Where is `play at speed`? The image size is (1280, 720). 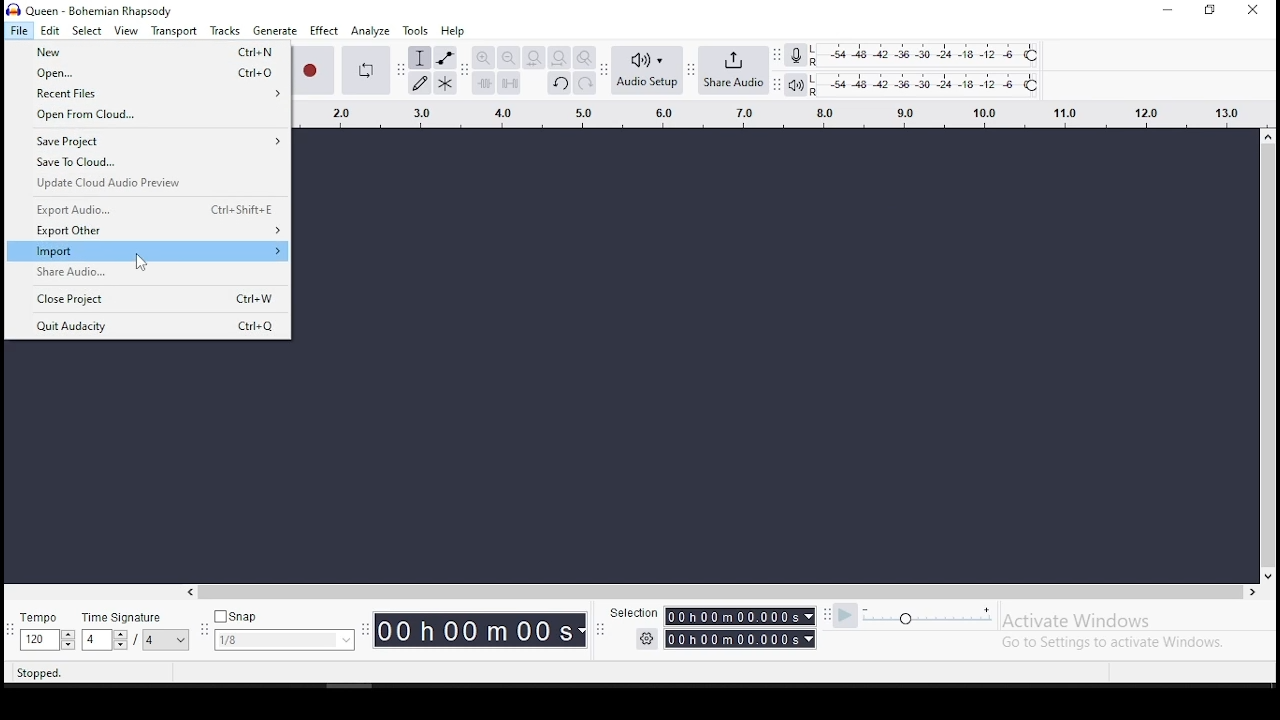
play at speed is located at coordinates (847, 616).